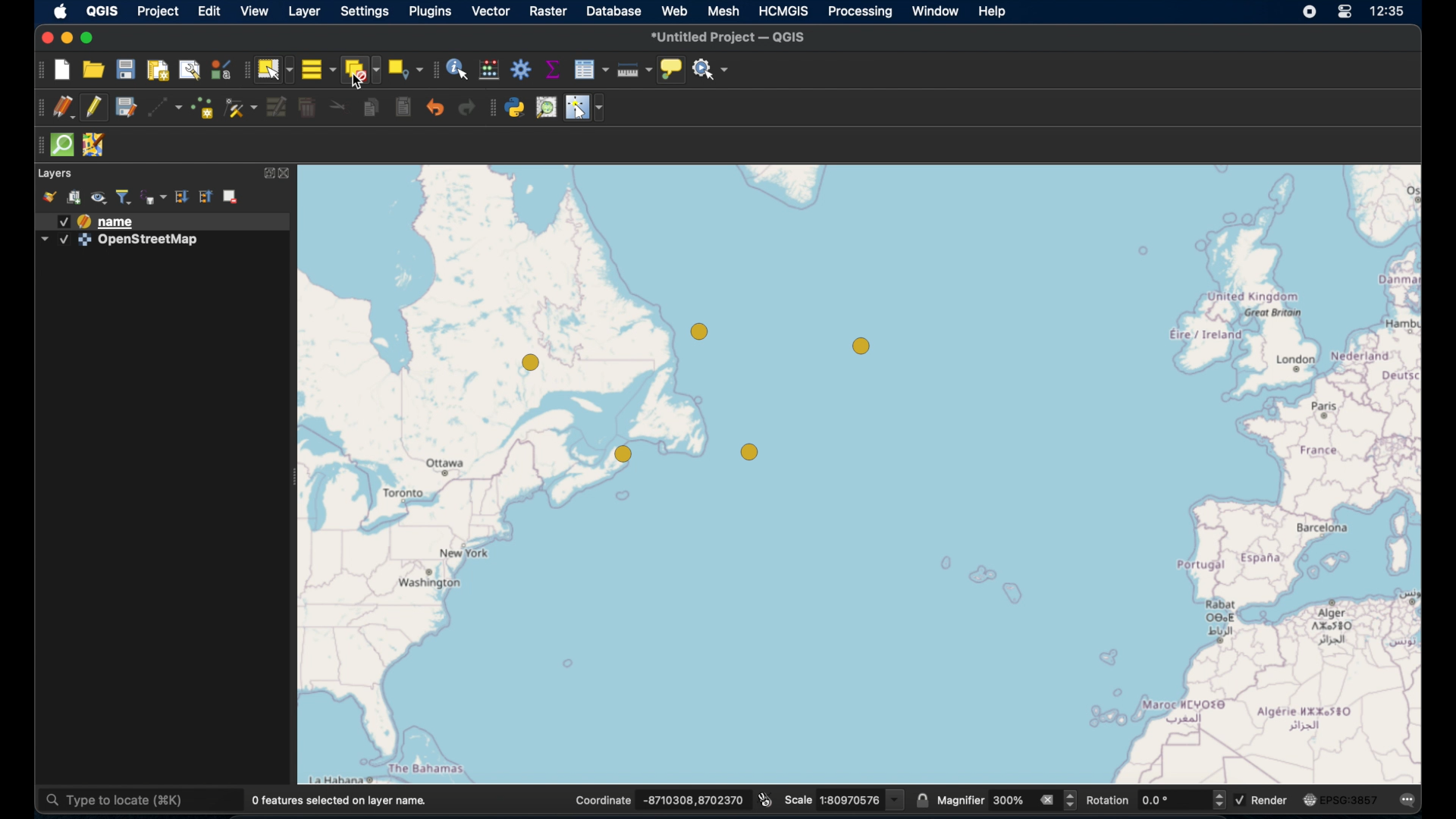 The width and height of the screenshot is (1456, 819). Describe the element at coordinates (84, 240) in the screenshot. I see `icon` at that location.